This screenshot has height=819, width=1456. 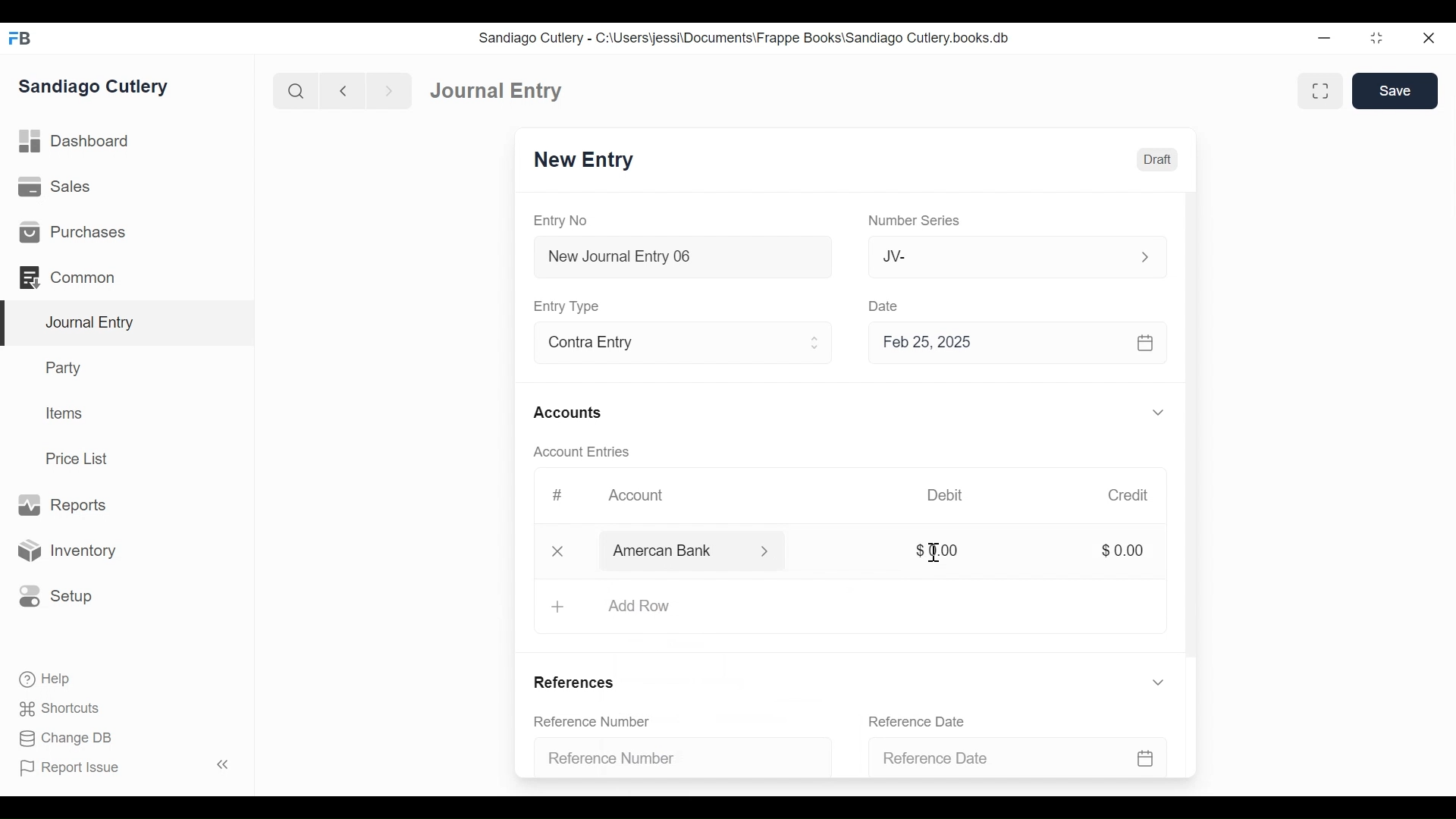 What do you see at coordinates (75, 278) in the screenshot?
I see `Common` at bounding box center [75, 278].